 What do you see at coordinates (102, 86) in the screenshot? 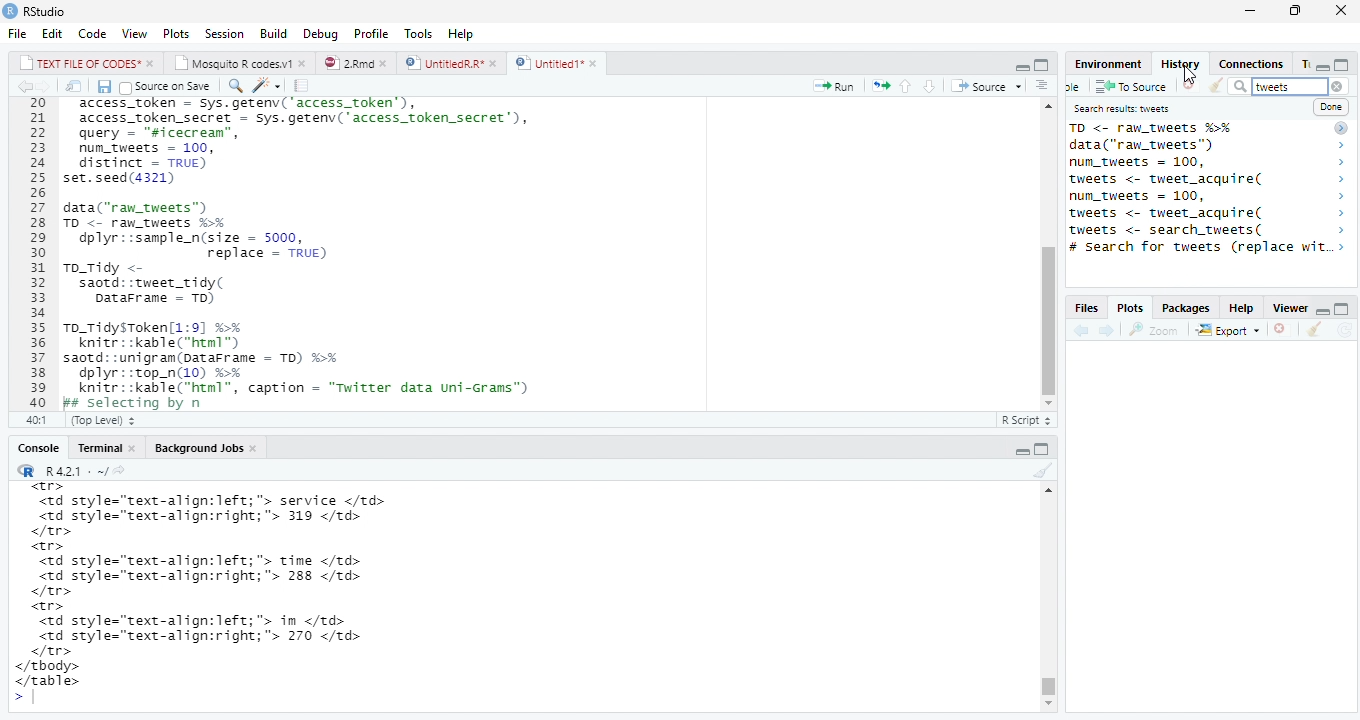
I see `Save document` at bounding box center [102, 86].